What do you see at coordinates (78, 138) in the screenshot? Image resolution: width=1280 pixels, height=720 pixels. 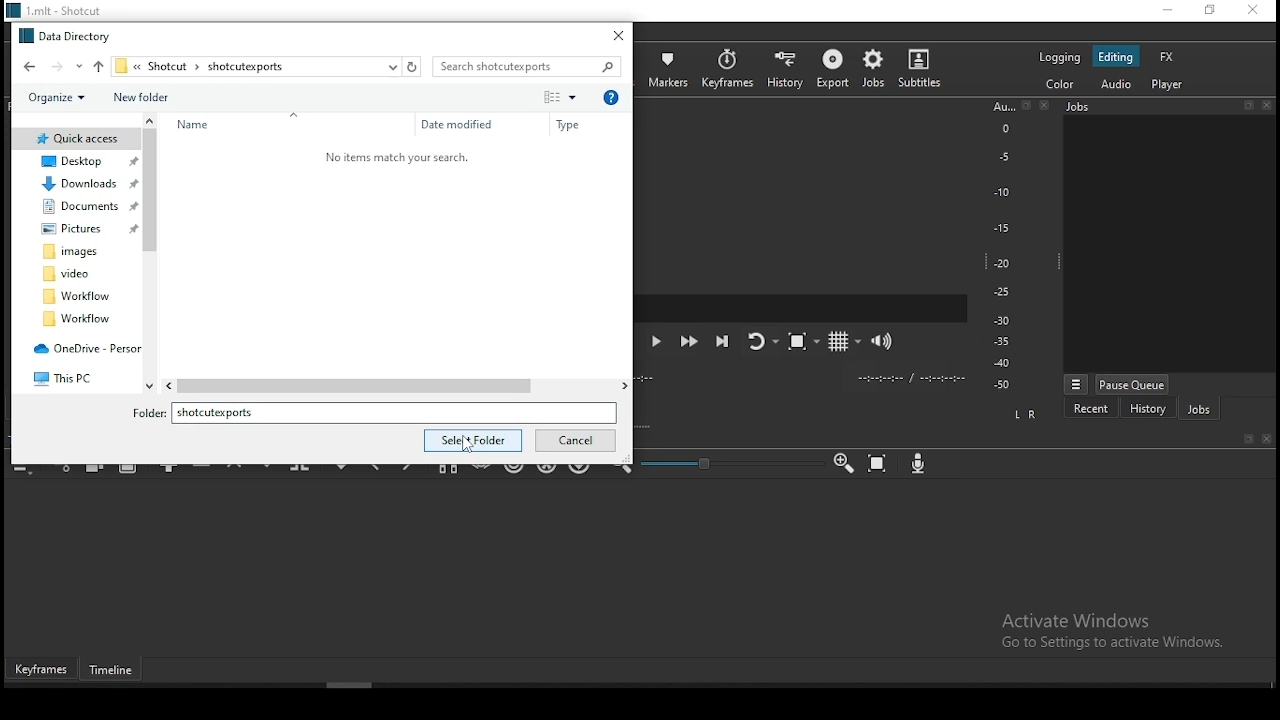 I see `local folder` at bounding box center [78, 138].